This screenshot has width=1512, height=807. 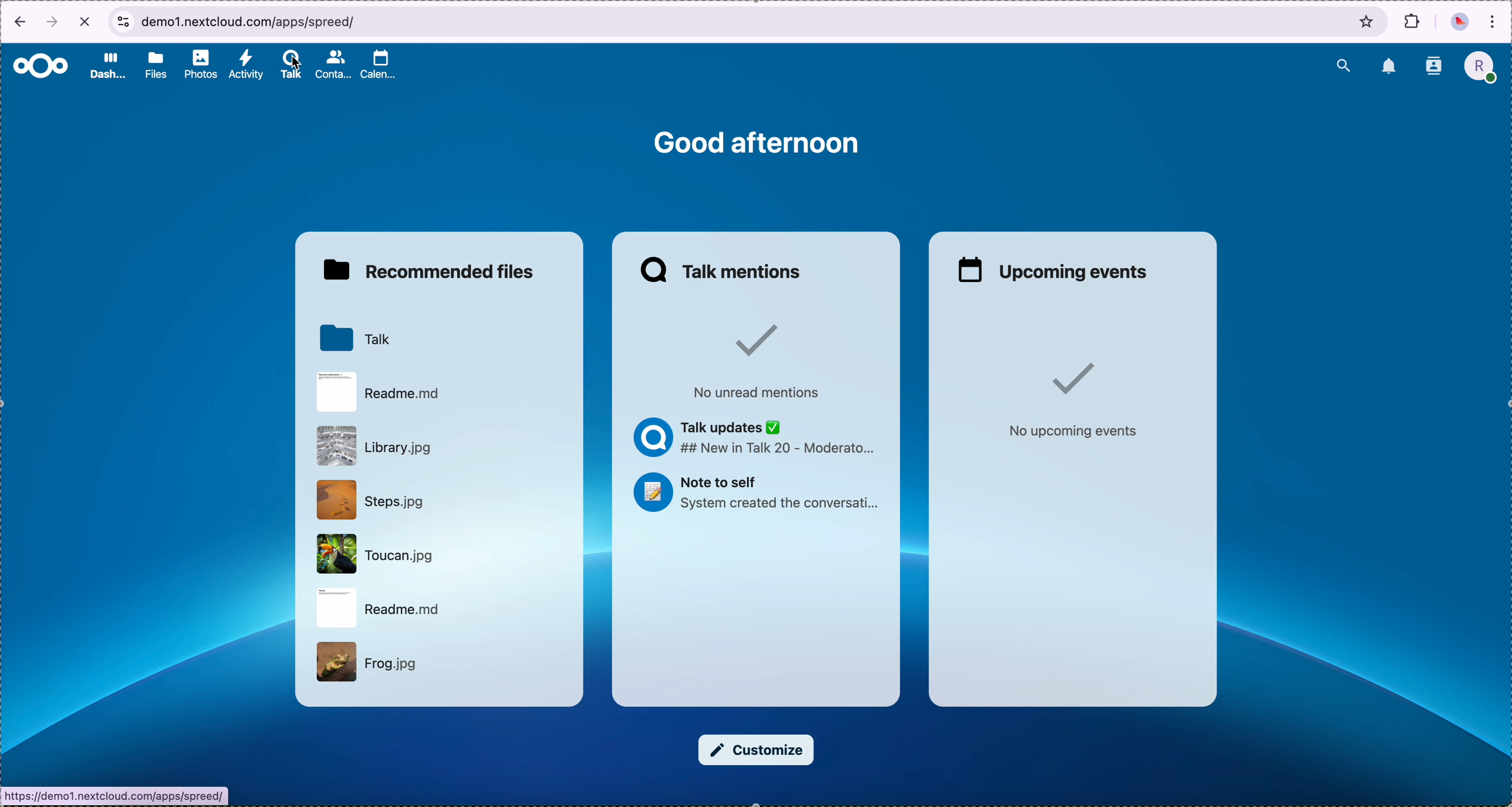 What do you see at coordinates (1459, 22) in the screenshot?
I see `profile picture` at bounding box center [1459, 22].